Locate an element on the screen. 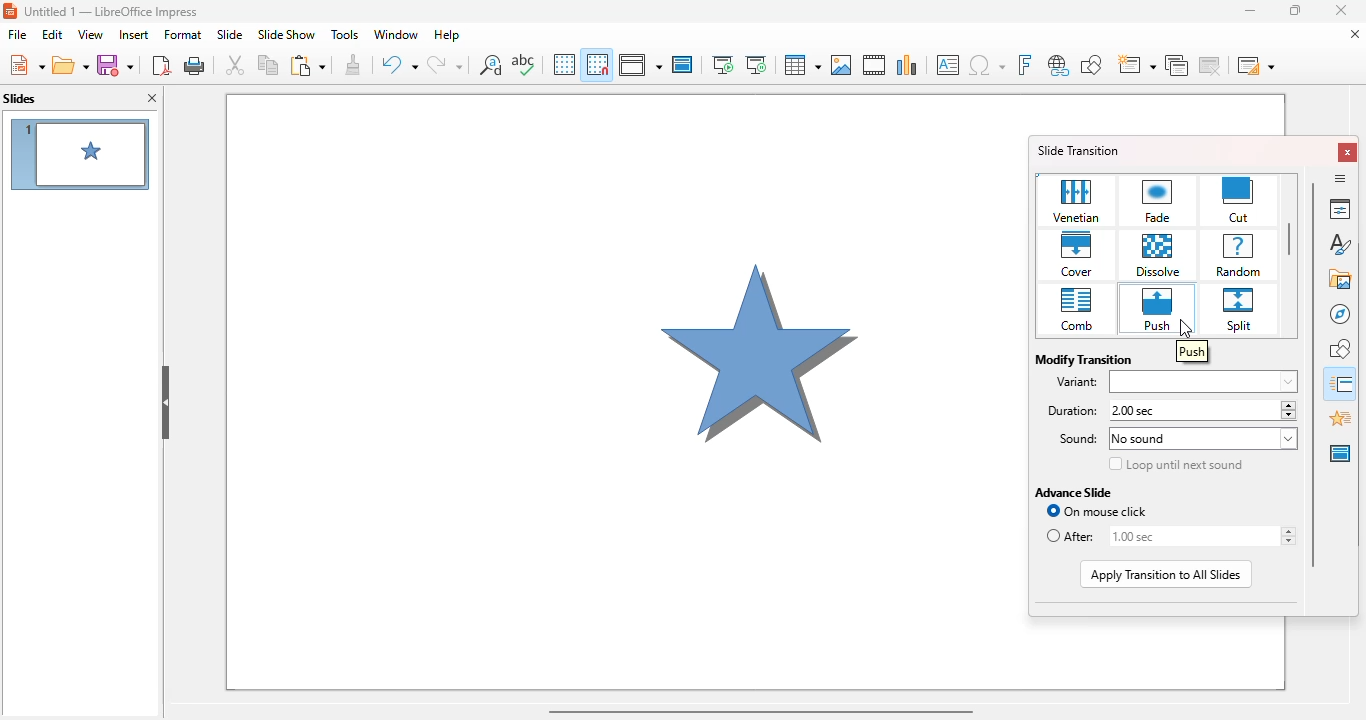  redo is located at coordinates (445, 64).